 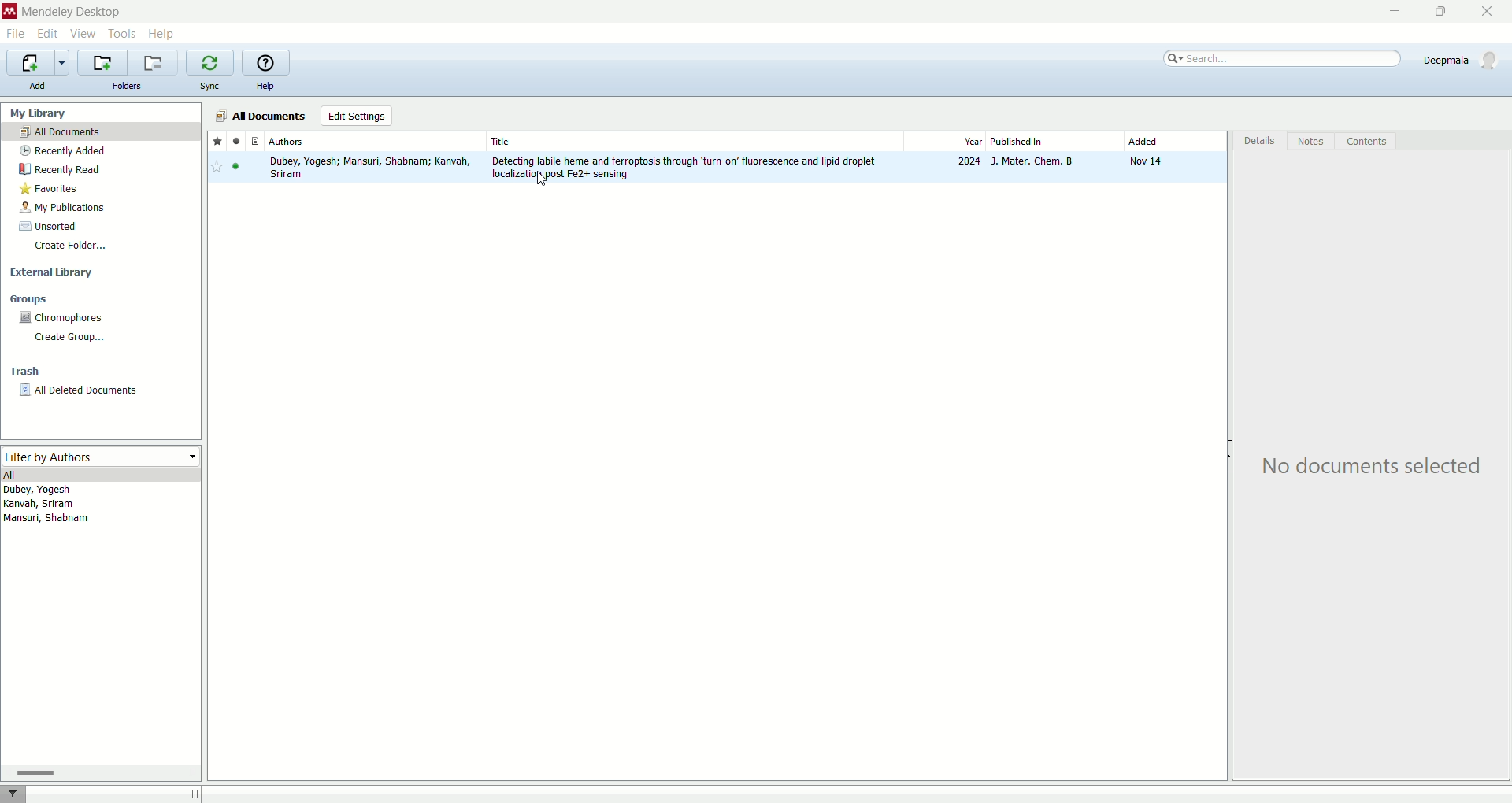 What do you see at coordinates (48, 226) in the screenshot?
I see `unsorted` at bounding box center [48, 226].